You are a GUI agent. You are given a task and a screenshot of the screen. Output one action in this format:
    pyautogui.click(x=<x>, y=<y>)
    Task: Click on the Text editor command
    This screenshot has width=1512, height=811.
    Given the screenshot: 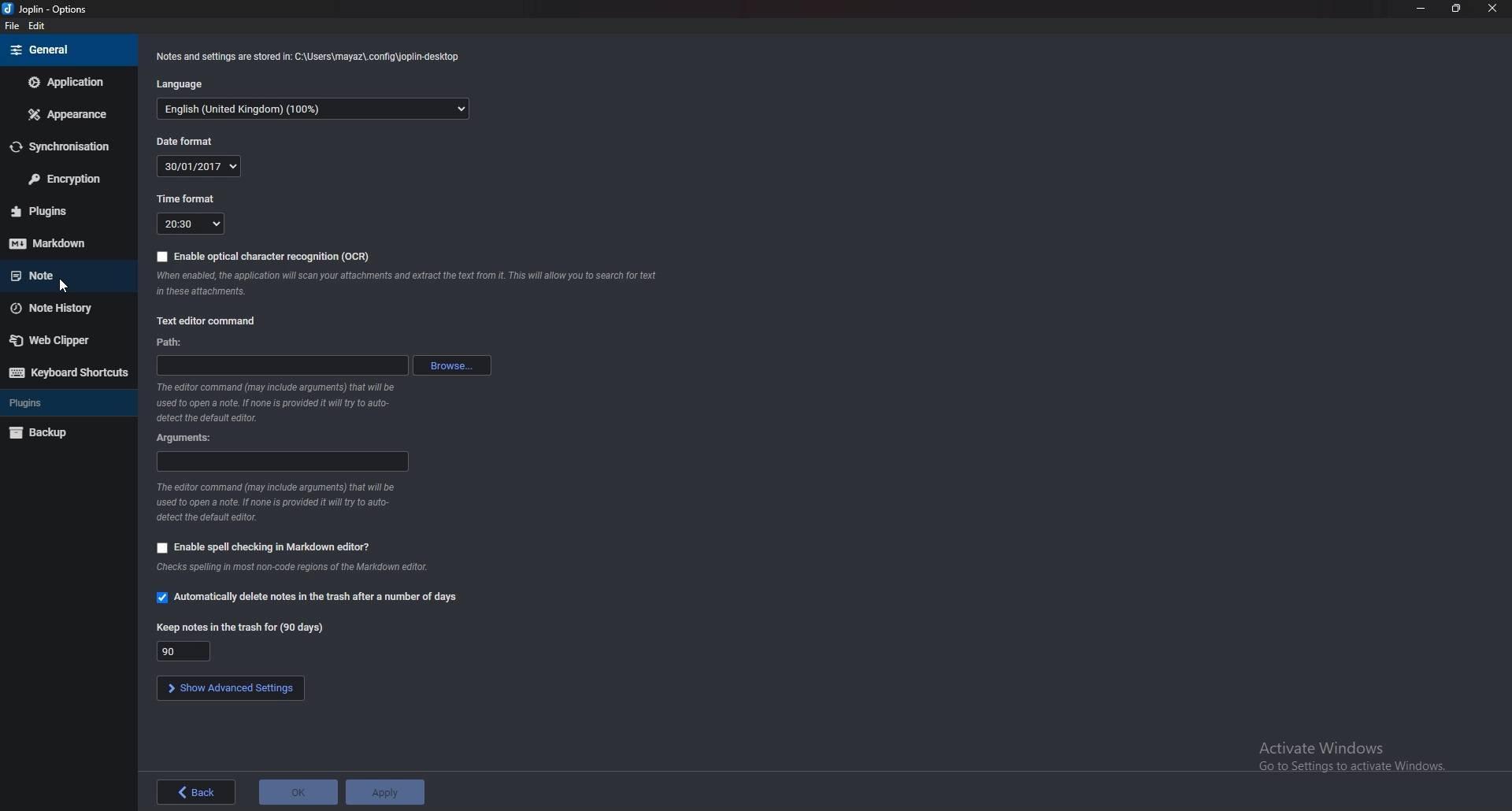 What is the action you would take?
    pyautogui.click(x=211, y=322)
    